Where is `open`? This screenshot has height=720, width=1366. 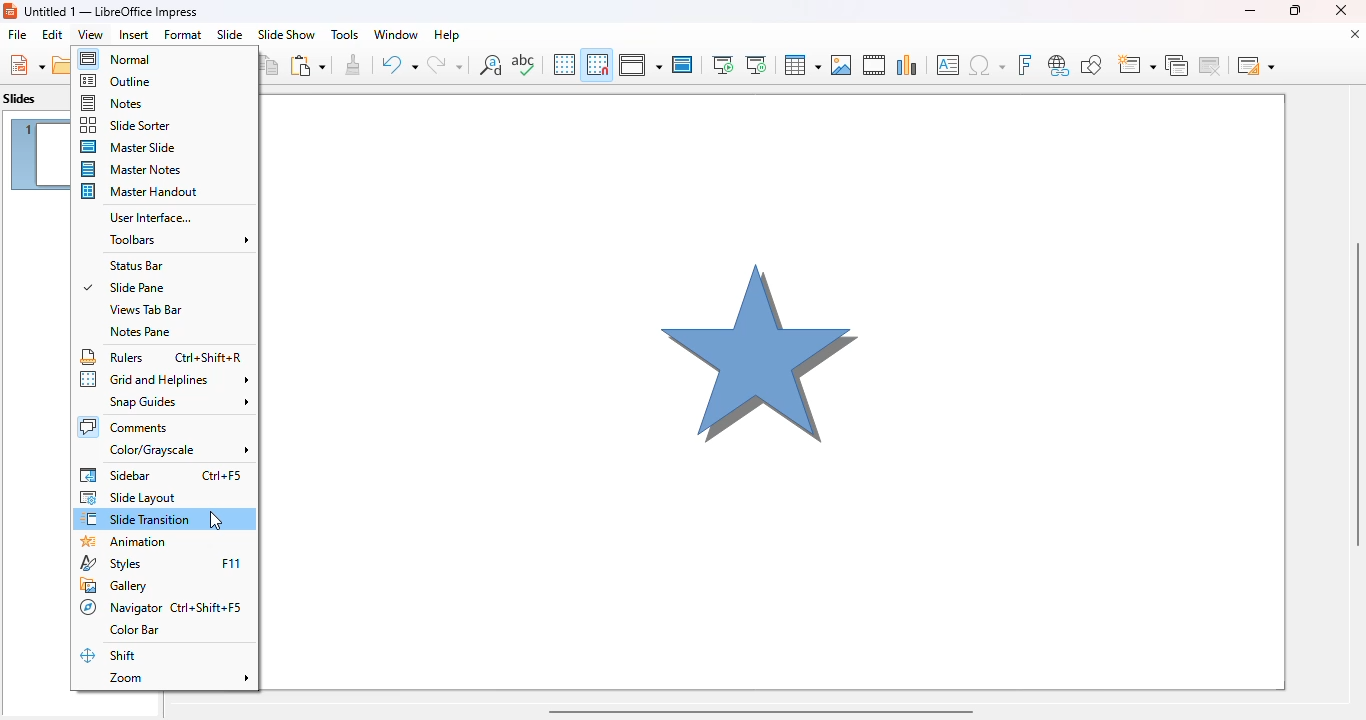 open is located at coordinates (60, 64).